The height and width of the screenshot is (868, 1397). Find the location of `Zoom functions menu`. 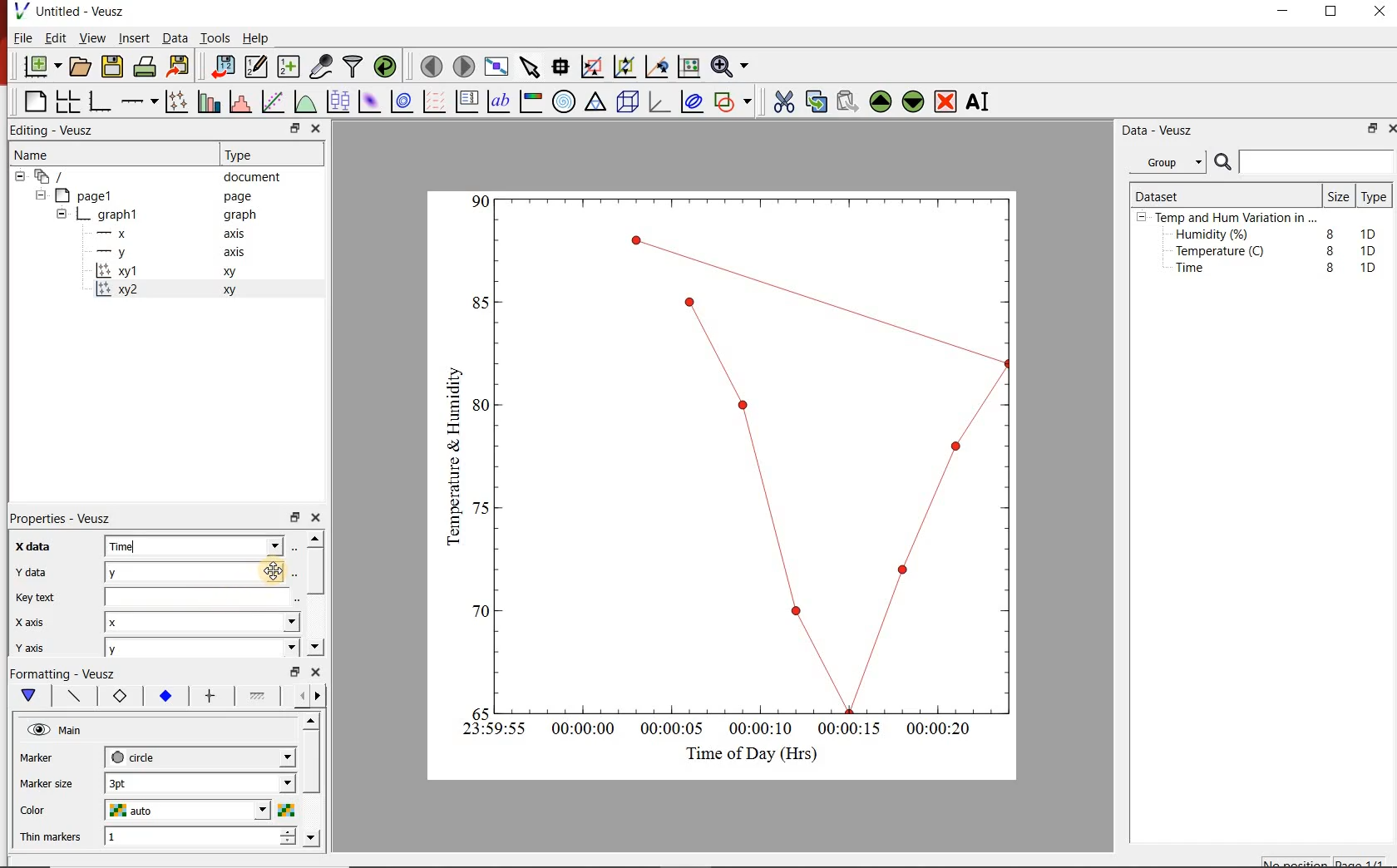

Zoom functions menu is located at coordinates (729, 66).